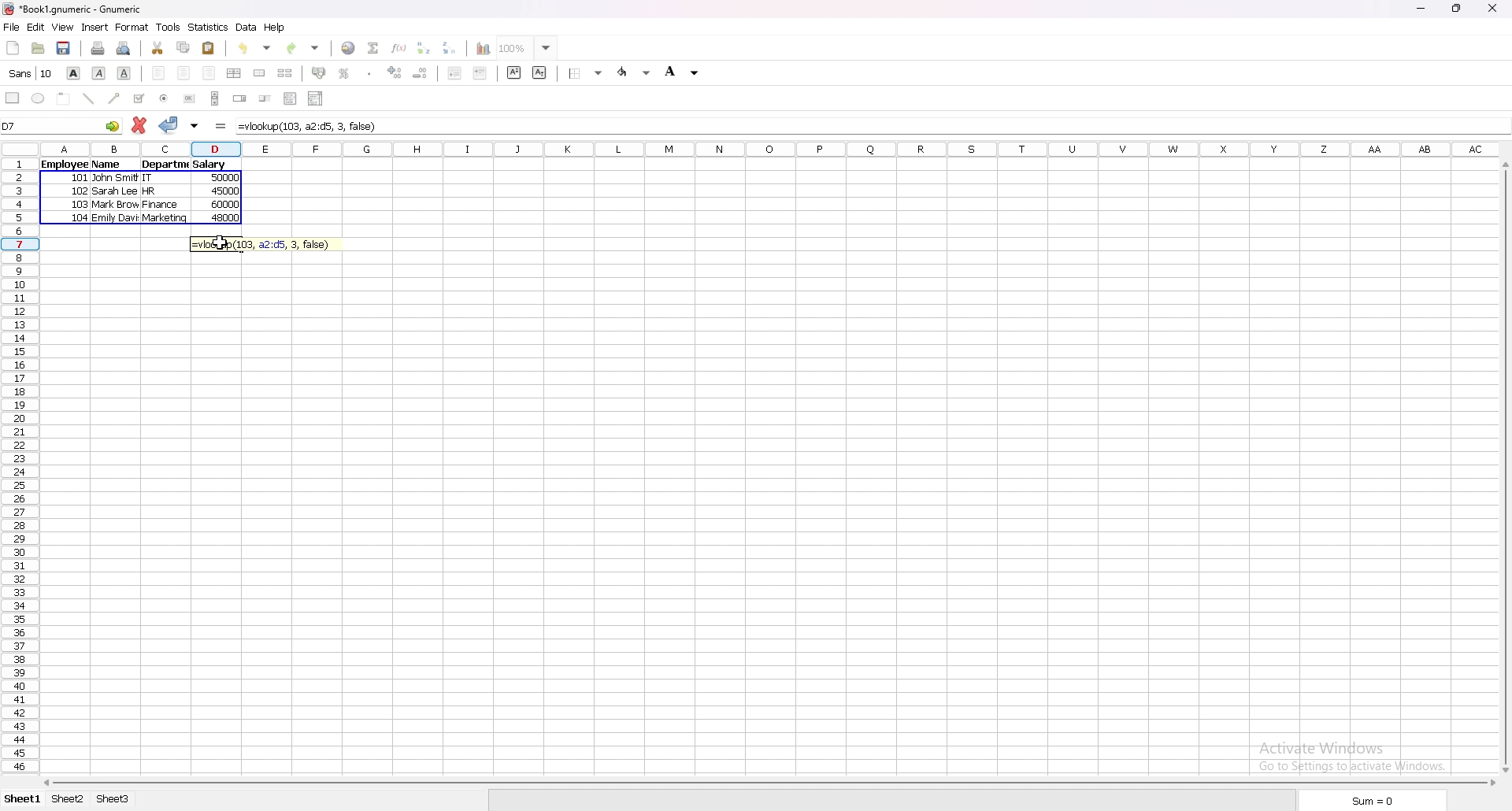 The height and width of the screenshot is (811, 1512). What do you see at coordinates (64, 98) in the screenshot?
I see `frame` at bounding box center [64, 98].